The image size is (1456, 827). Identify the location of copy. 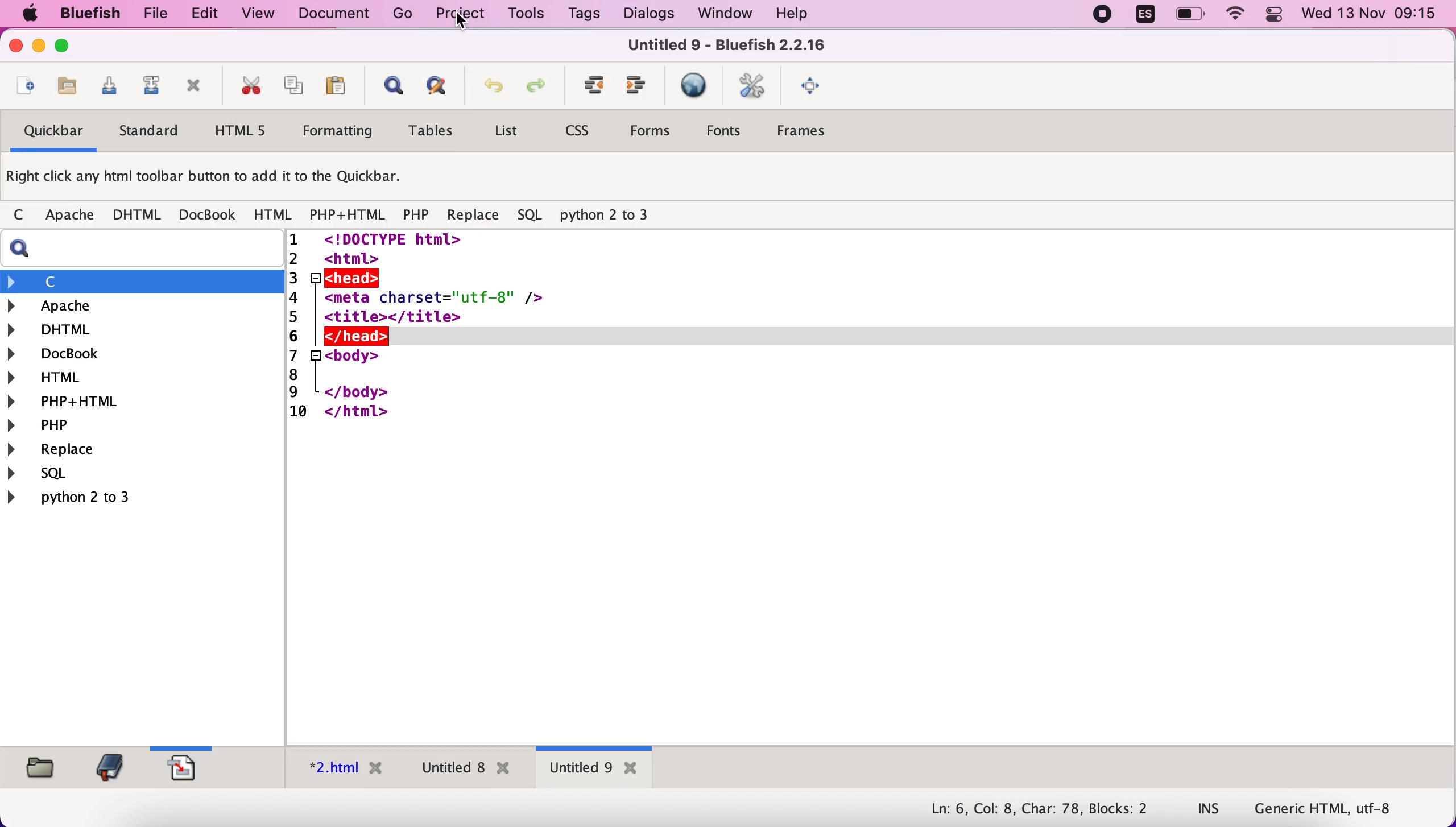
(290, 87).